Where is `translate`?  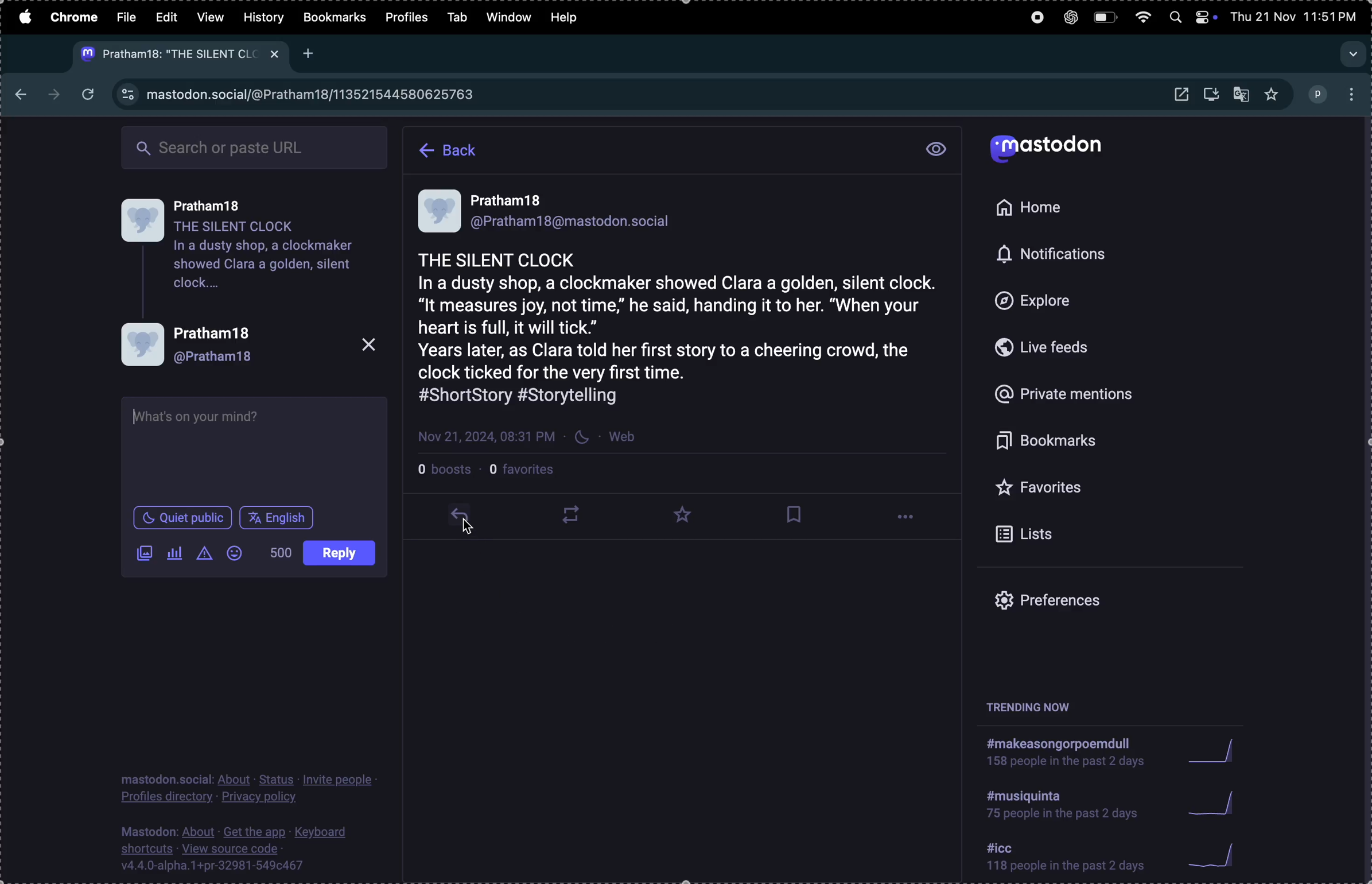
translate is located at coordinates (1243, 93).